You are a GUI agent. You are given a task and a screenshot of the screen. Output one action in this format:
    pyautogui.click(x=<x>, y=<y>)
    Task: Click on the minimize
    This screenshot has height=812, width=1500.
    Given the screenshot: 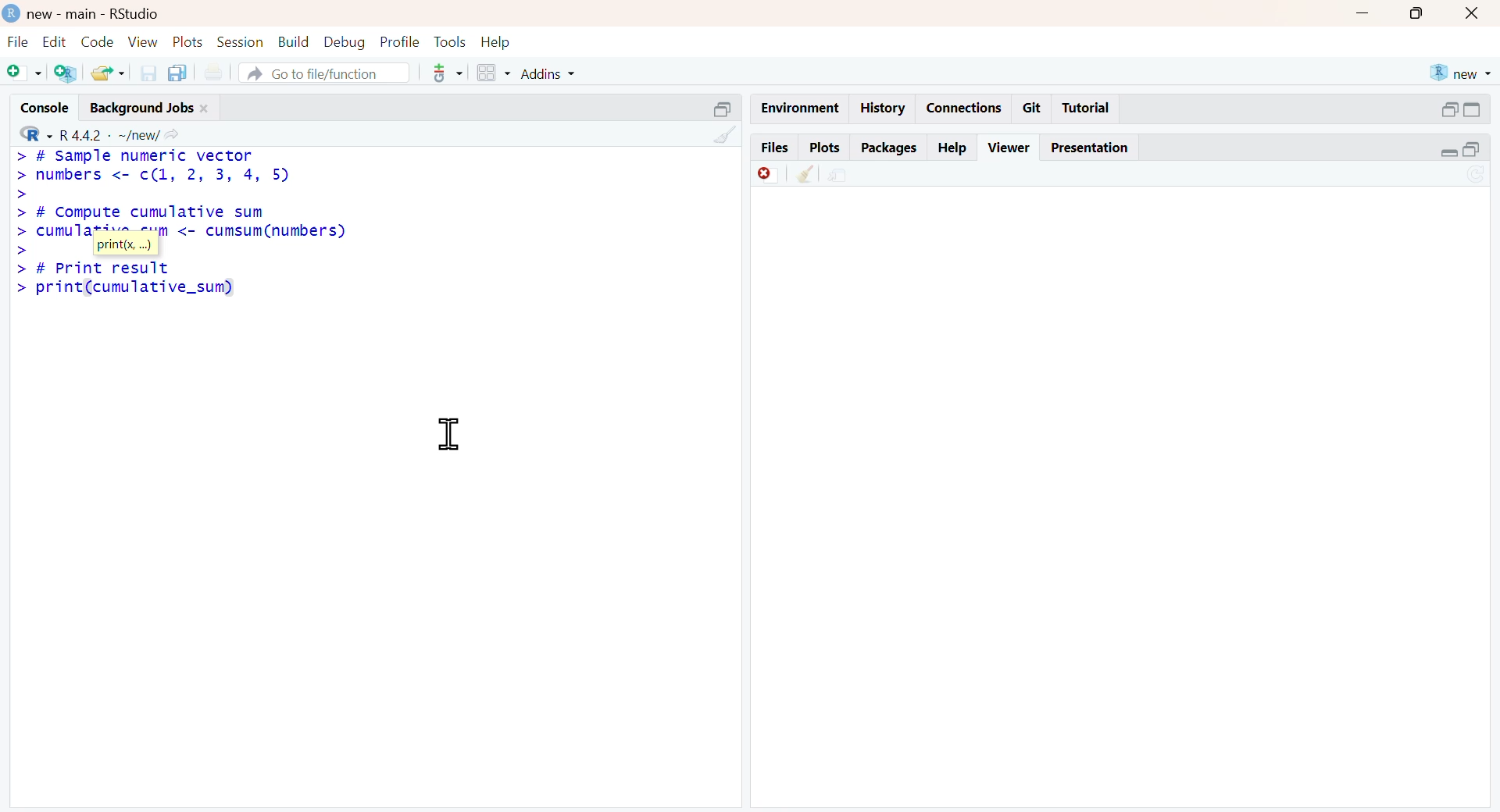 What is the action you would take?
    pyautogui.click(x=1364, y=12)
    